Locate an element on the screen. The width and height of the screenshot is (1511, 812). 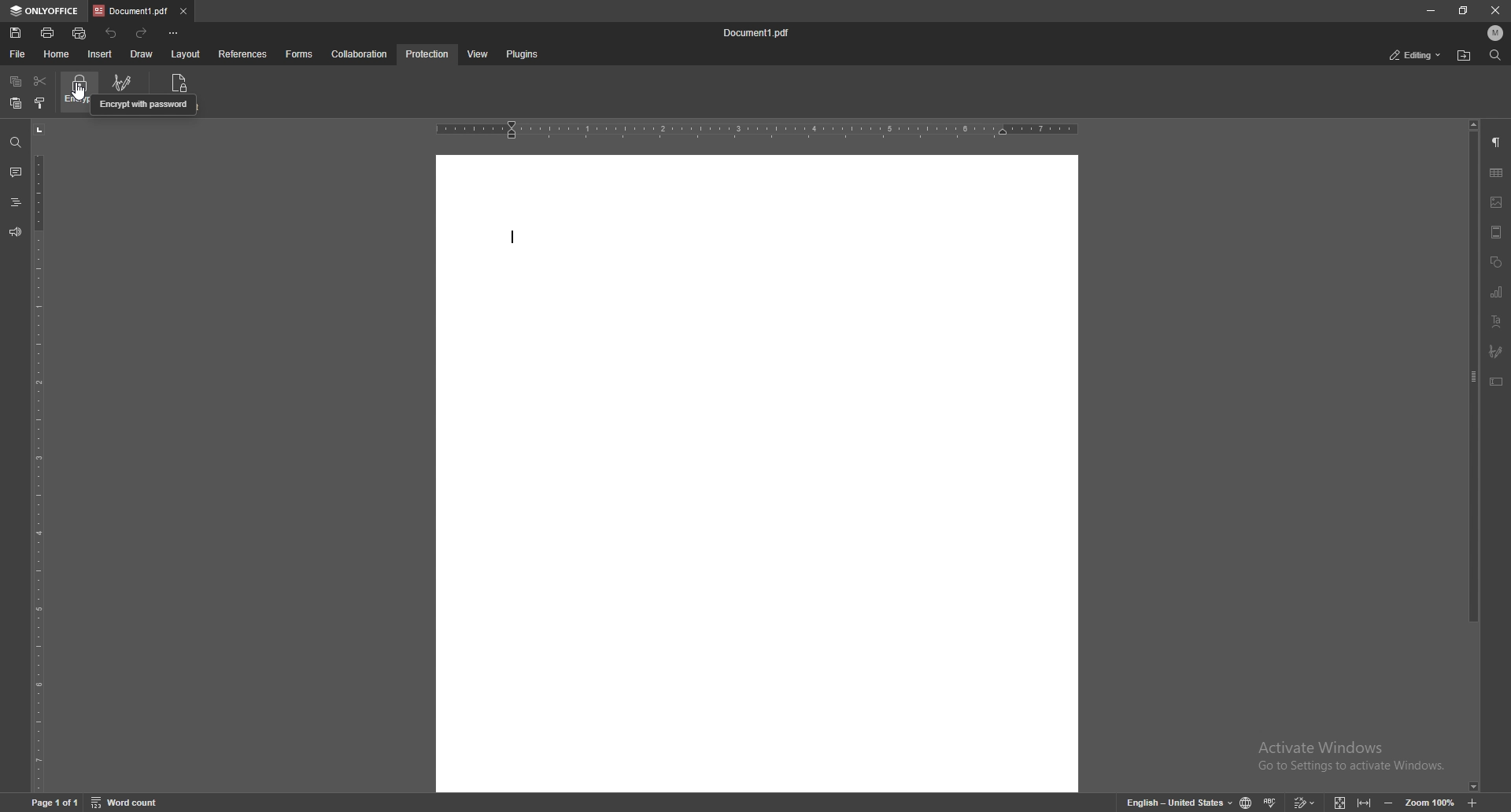
draw is located at coordinates (142, 54).